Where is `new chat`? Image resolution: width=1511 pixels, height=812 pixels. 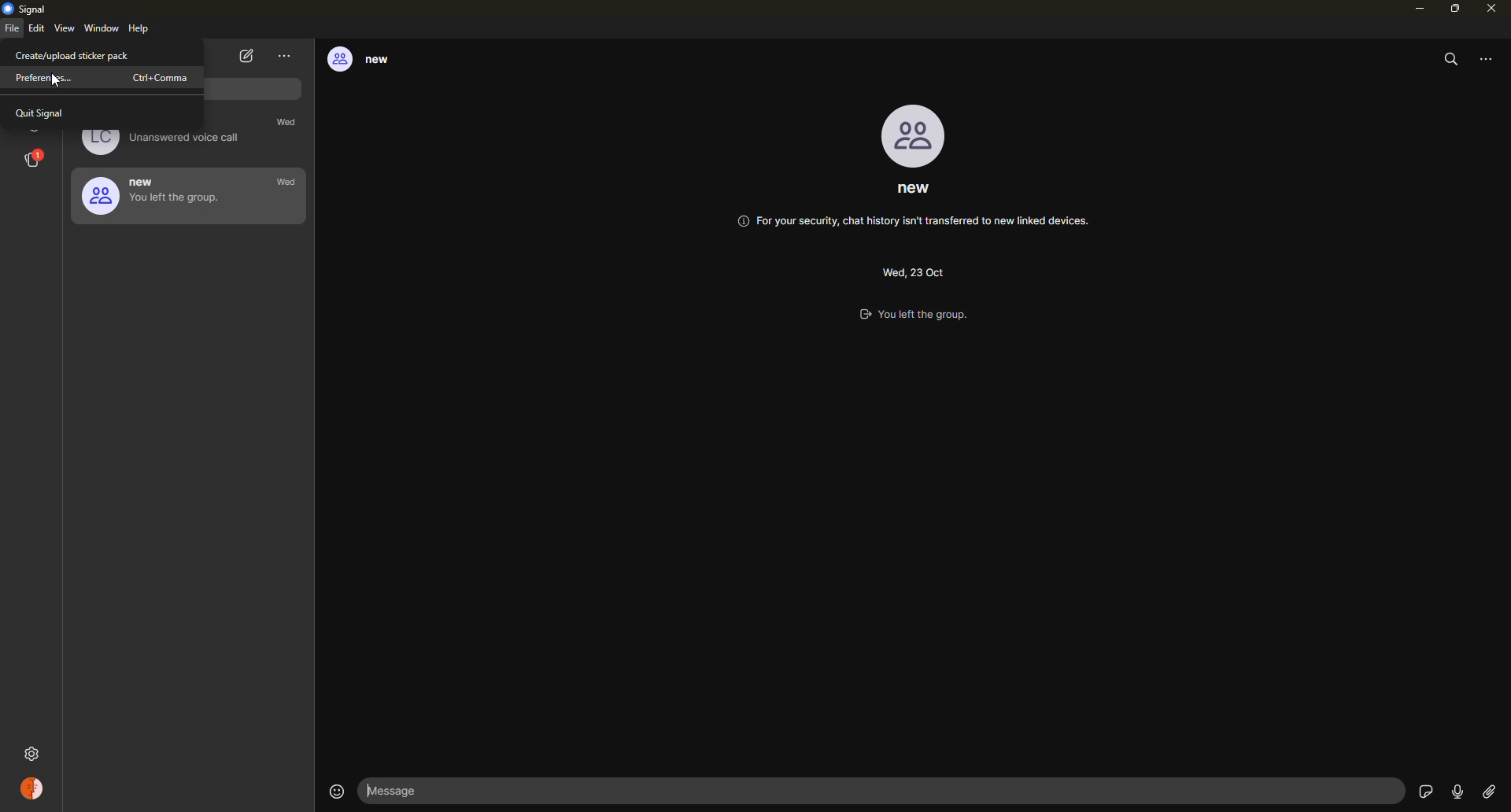 new chat is located at coordinates (248, 57).